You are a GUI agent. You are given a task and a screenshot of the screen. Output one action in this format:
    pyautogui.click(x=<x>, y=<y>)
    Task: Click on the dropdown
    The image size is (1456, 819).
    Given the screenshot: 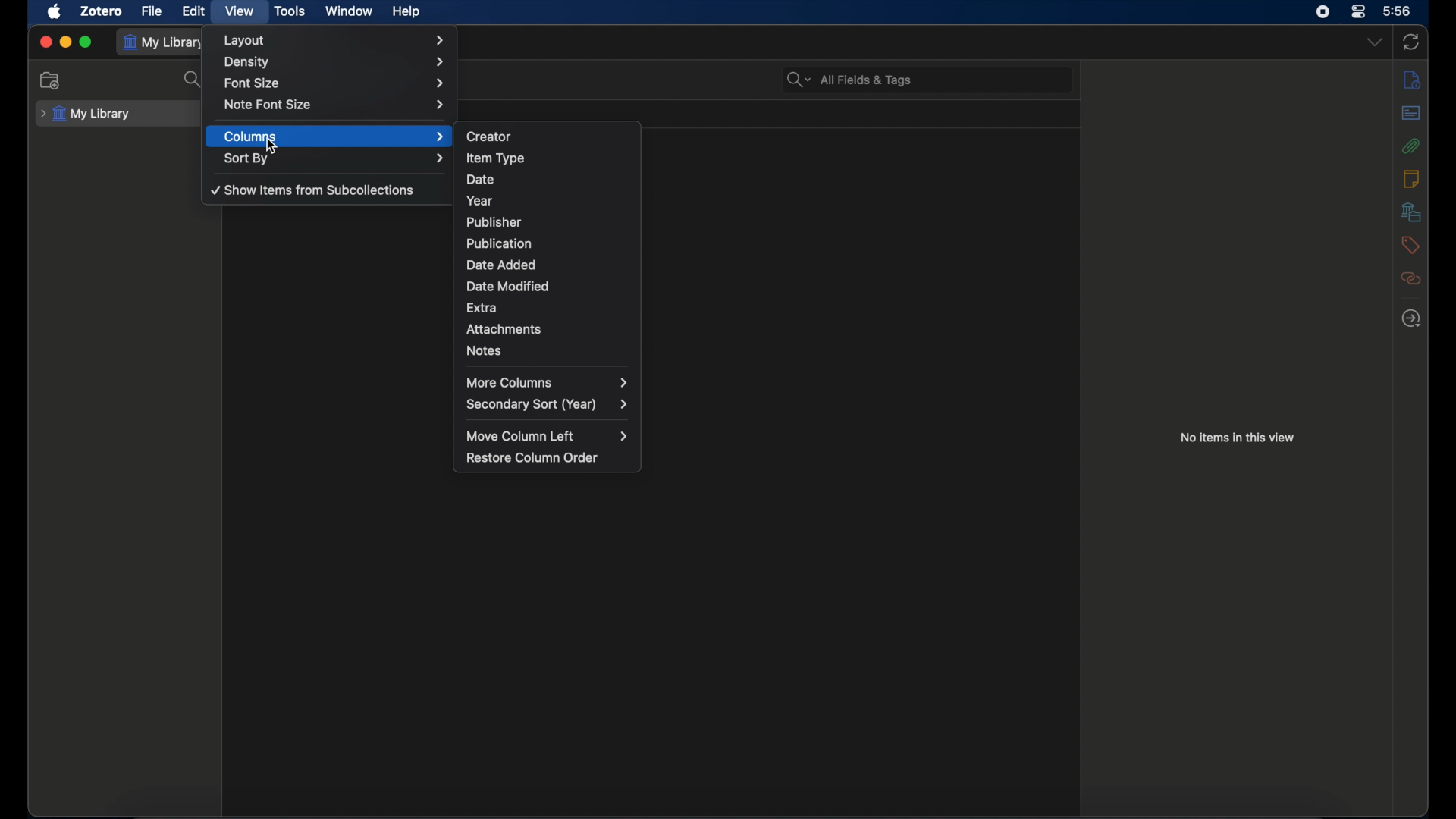 What is the action you would take?
    pyautogui.click(x=1375, y=42)
    